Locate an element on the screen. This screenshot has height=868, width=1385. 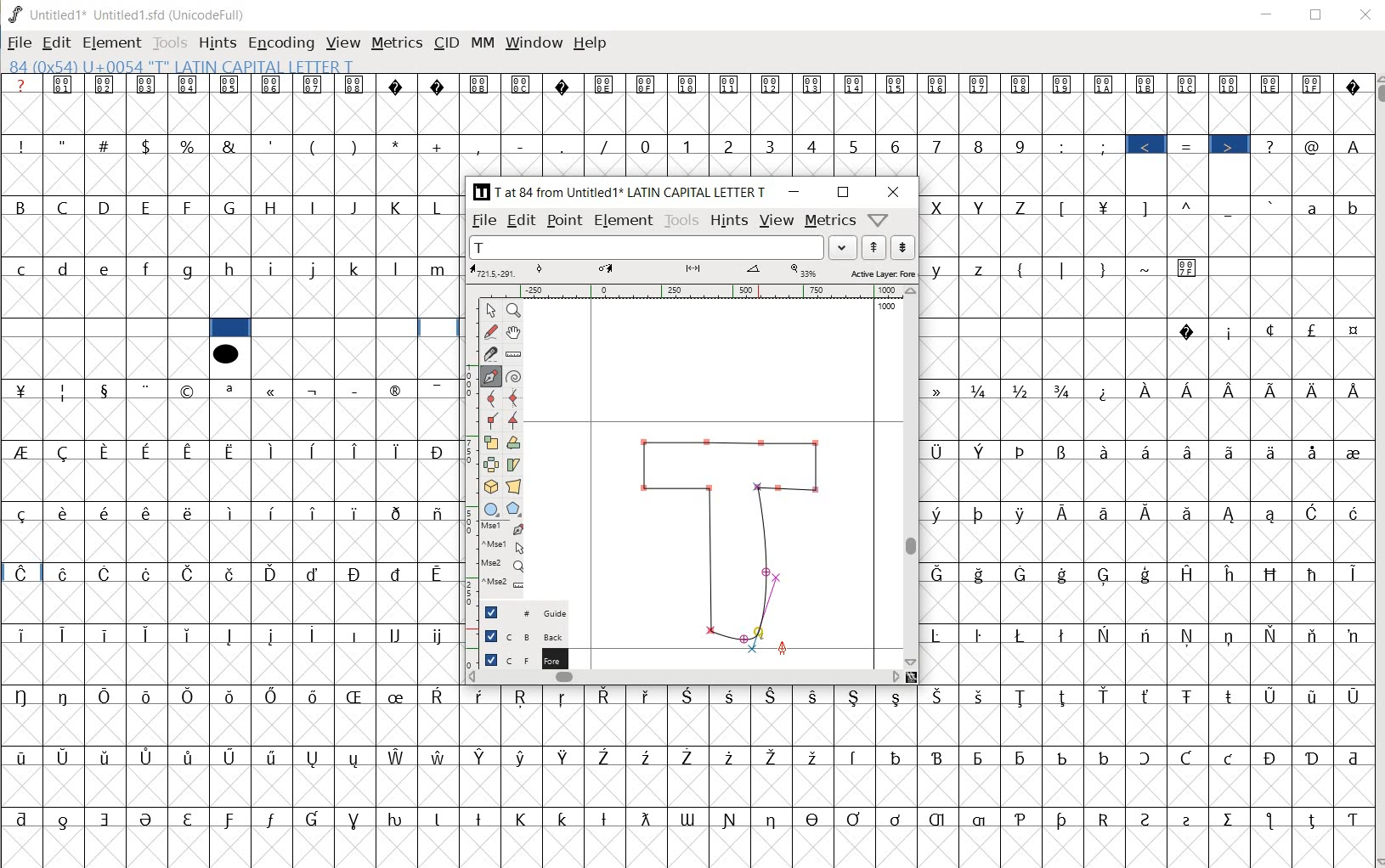
A is located at coordinates (1352, 144).